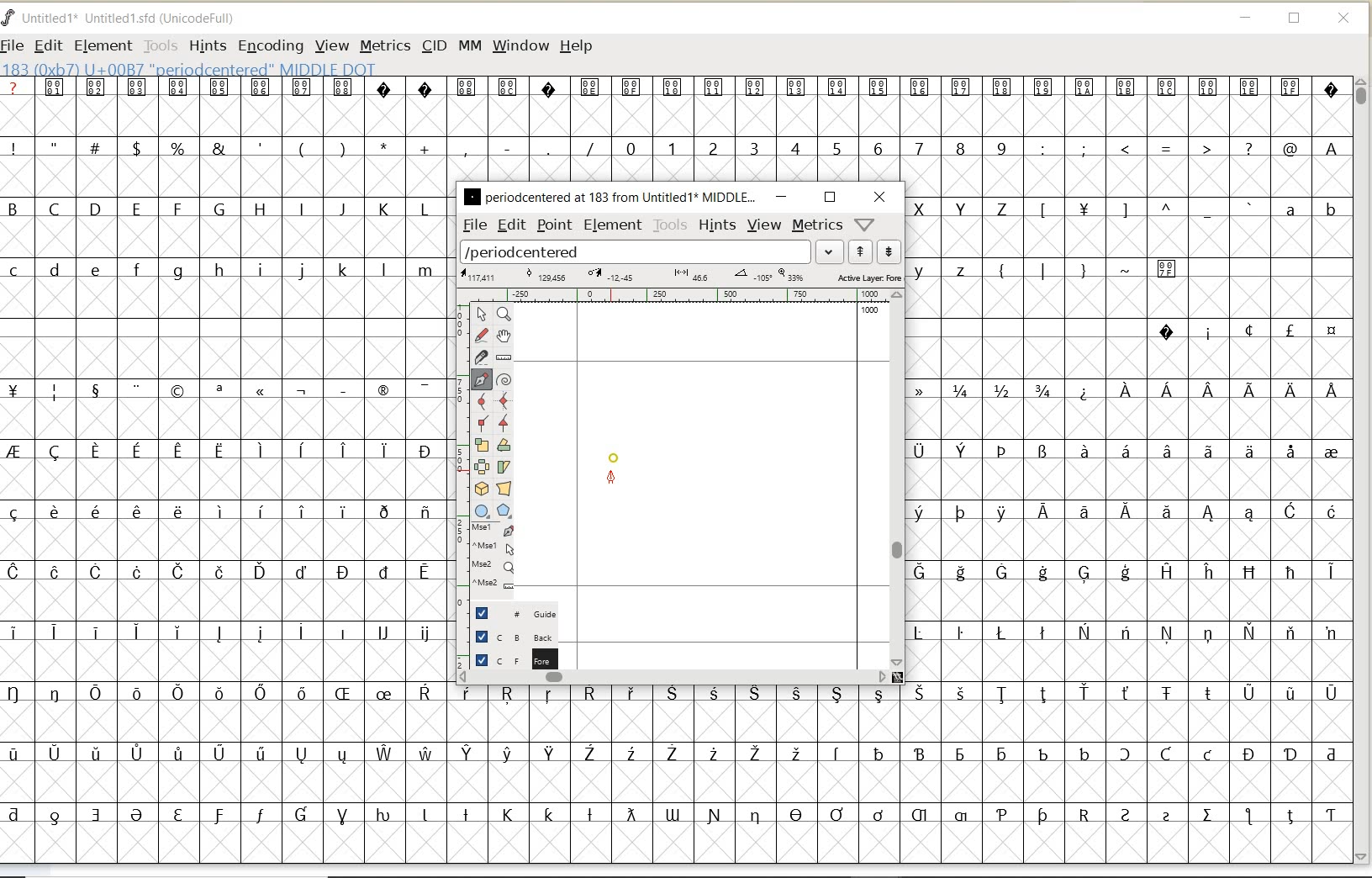 This screenshot has height=878, width=1372. Describe the element at coordinates (503, 336) in the screenshot. I see `scroll by hand` at that location.